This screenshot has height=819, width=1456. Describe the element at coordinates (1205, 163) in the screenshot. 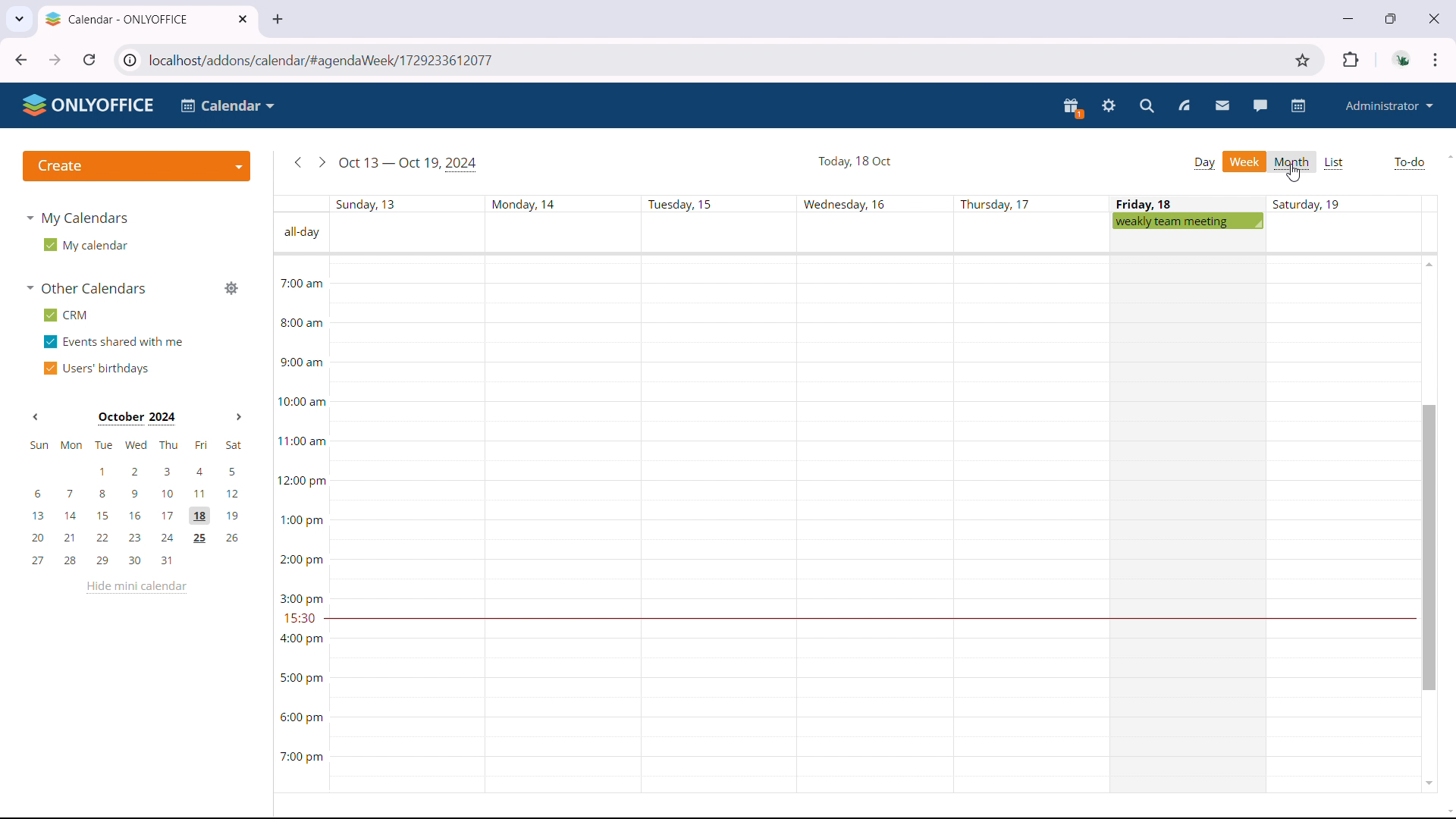

I see `day view` at that location.